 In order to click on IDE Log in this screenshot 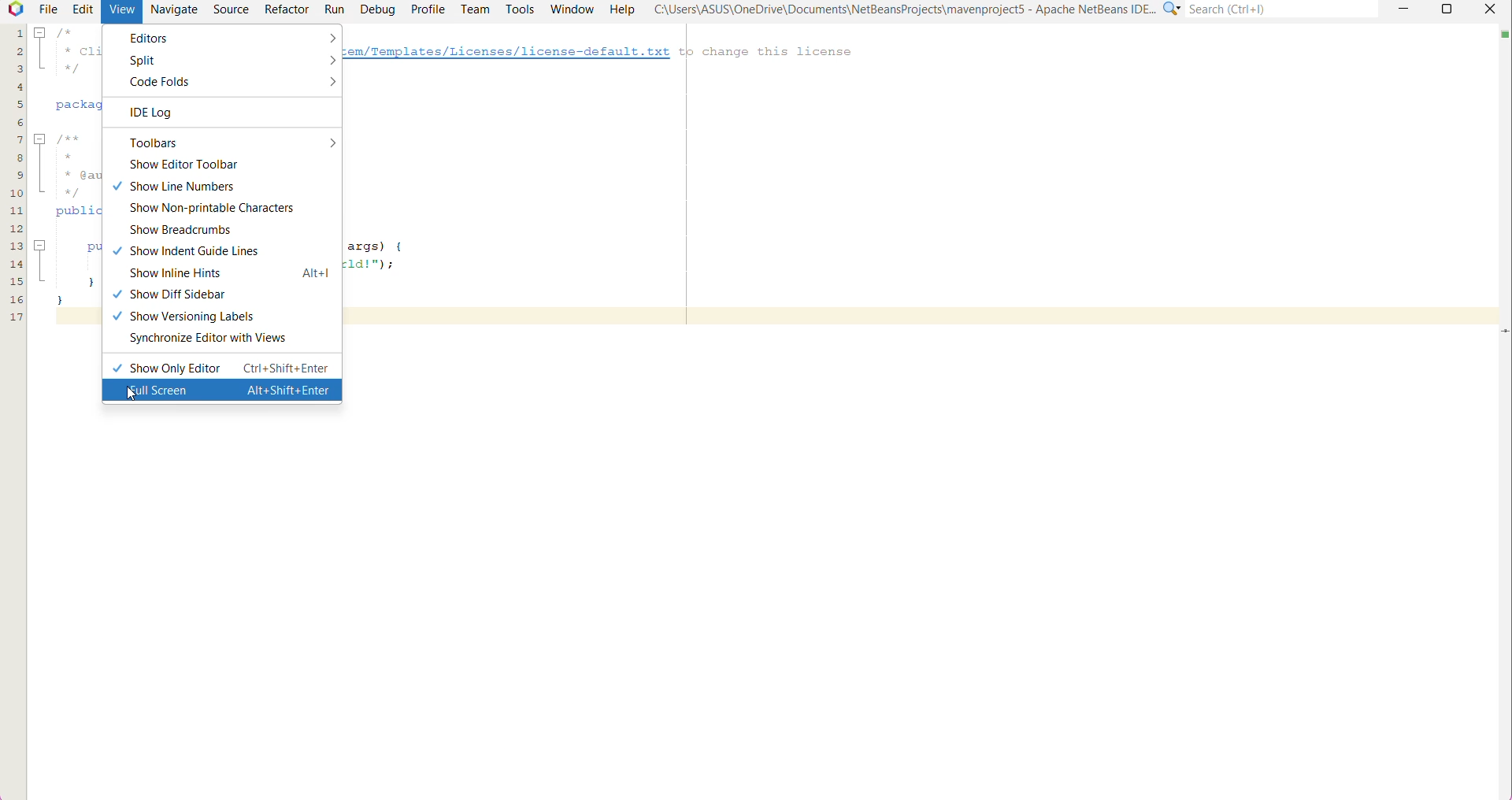, I will do `click(182, 112)`.